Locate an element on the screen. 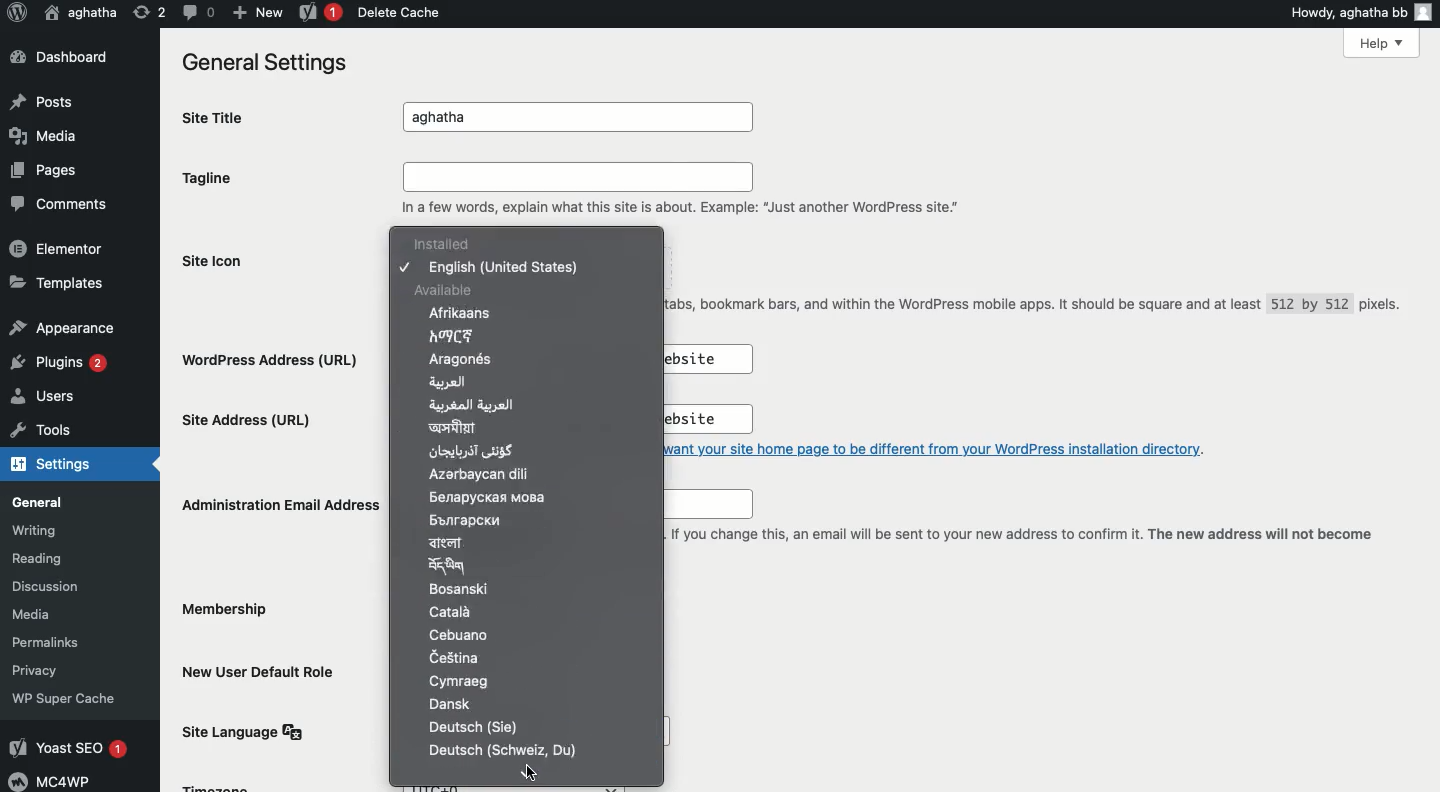 This screenshot has height=792, width=1440. Available languages is located at coordinates (503, 520).